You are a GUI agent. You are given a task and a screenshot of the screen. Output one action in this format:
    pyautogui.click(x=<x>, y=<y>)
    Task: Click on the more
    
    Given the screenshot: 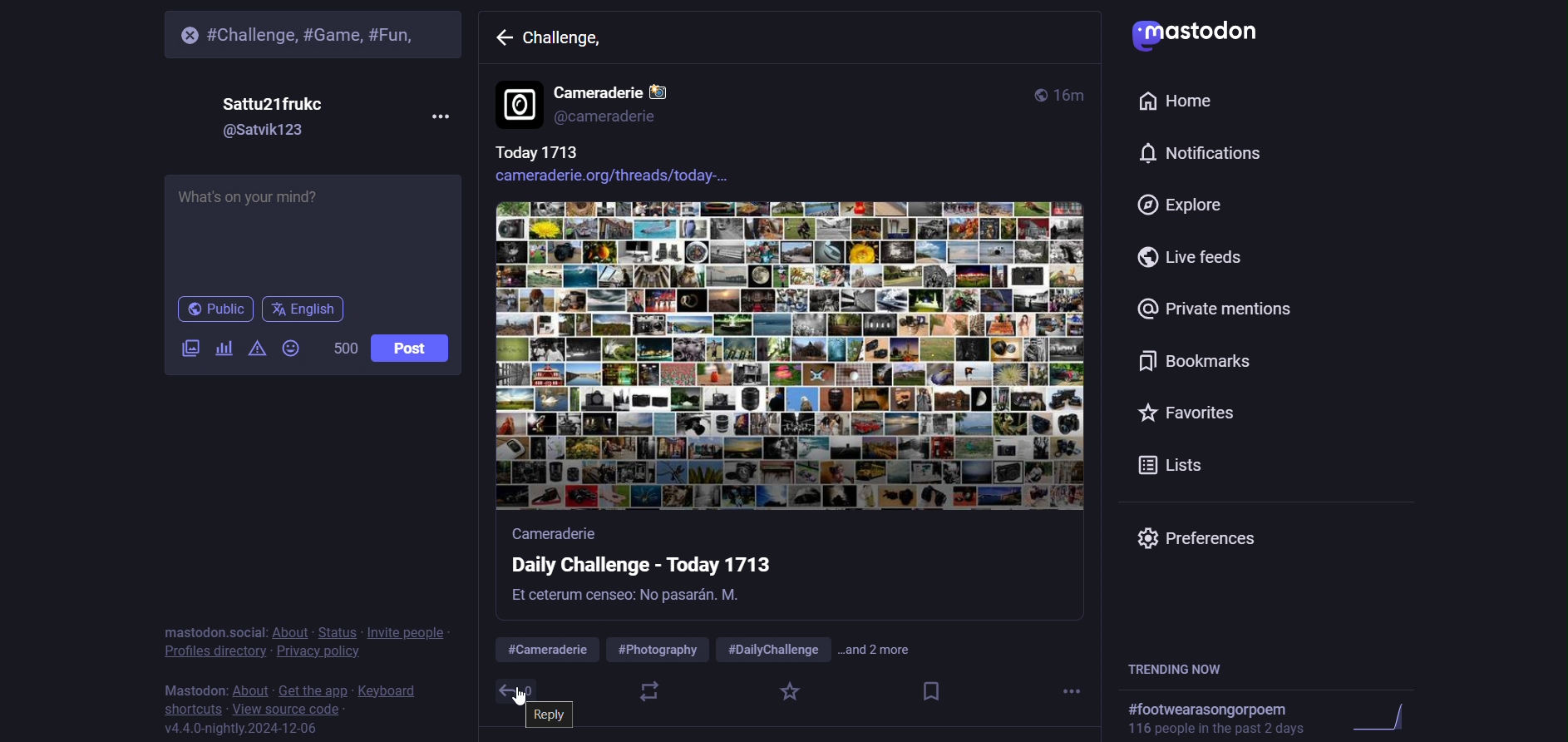 What is the action you would take?
    pyautogui.click(x=437, y=116)
    